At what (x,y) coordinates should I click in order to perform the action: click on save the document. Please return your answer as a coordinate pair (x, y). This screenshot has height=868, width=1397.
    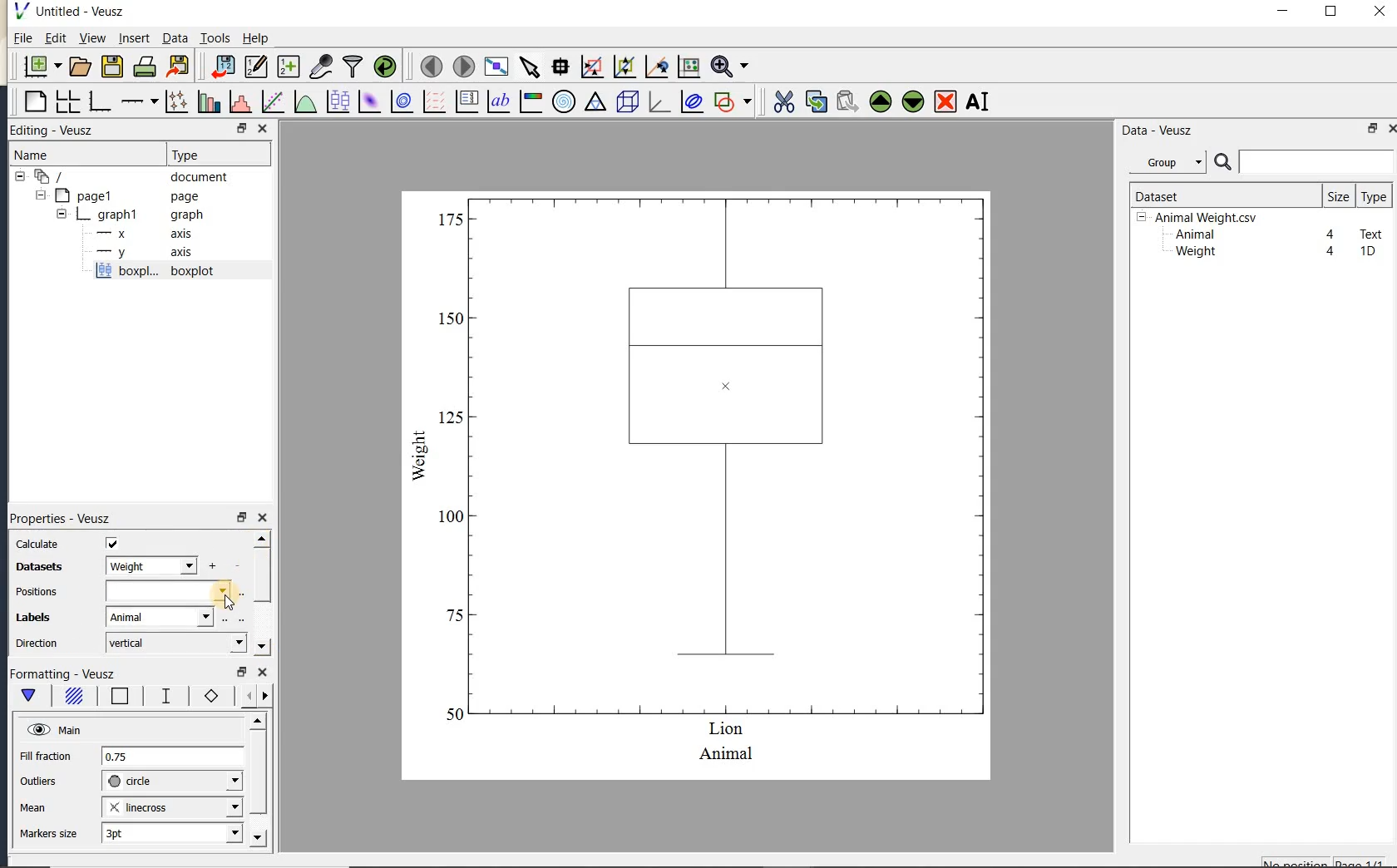
    Looking at the image, I should click on (111, 67).